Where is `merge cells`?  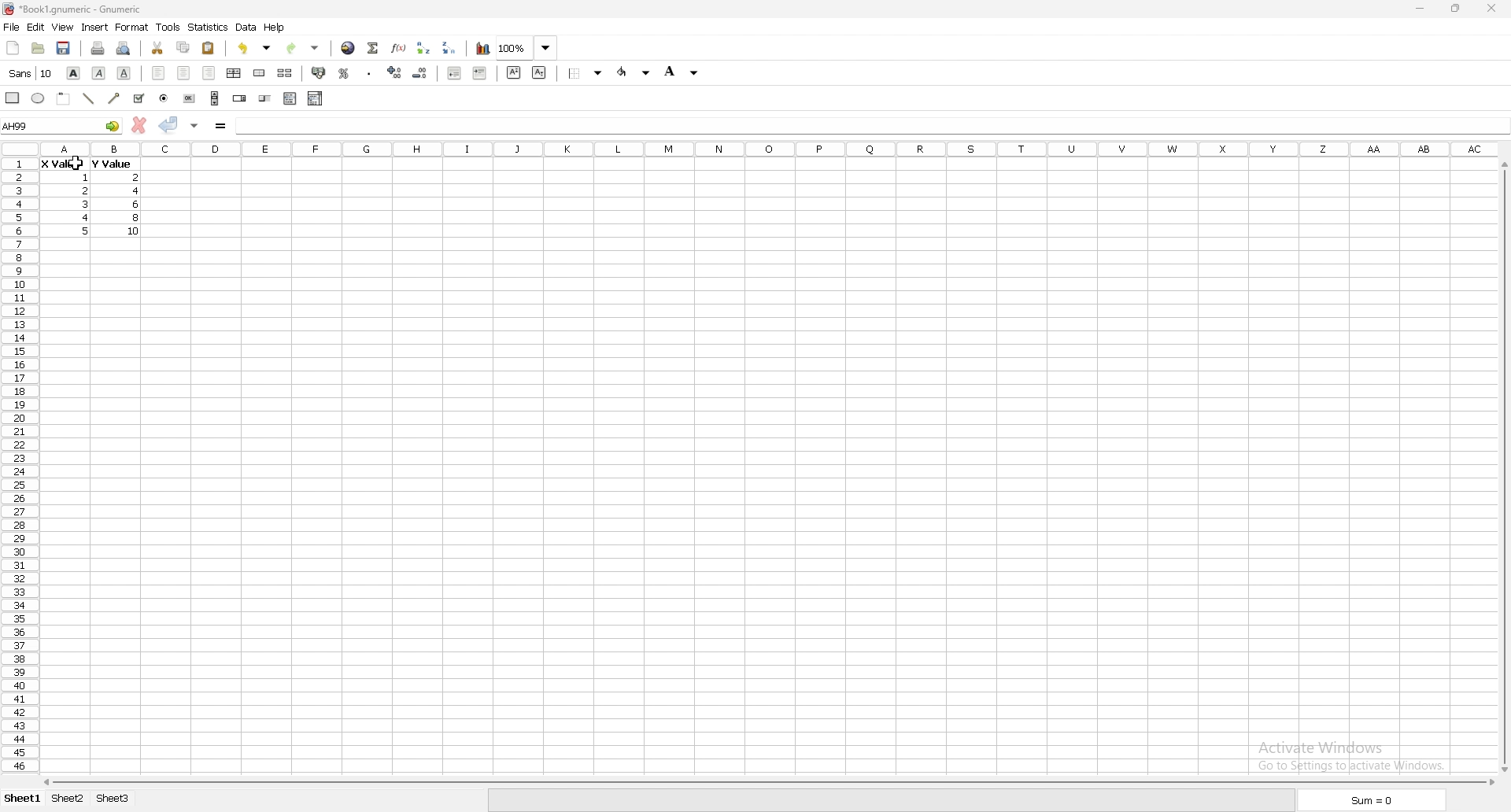 merge cells is located at coordinates (259, 73).